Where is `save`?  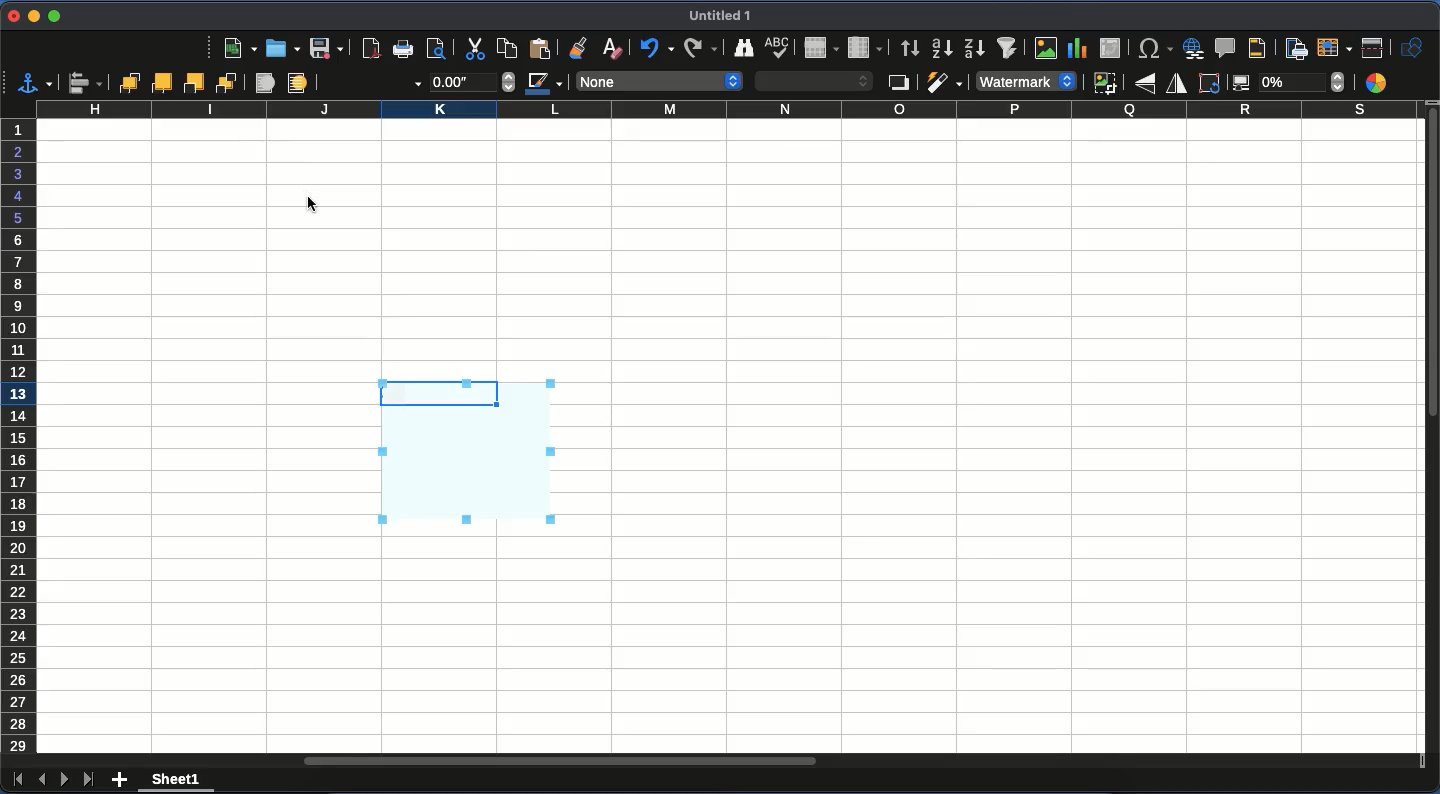
save is located at coordinates (327, 49).